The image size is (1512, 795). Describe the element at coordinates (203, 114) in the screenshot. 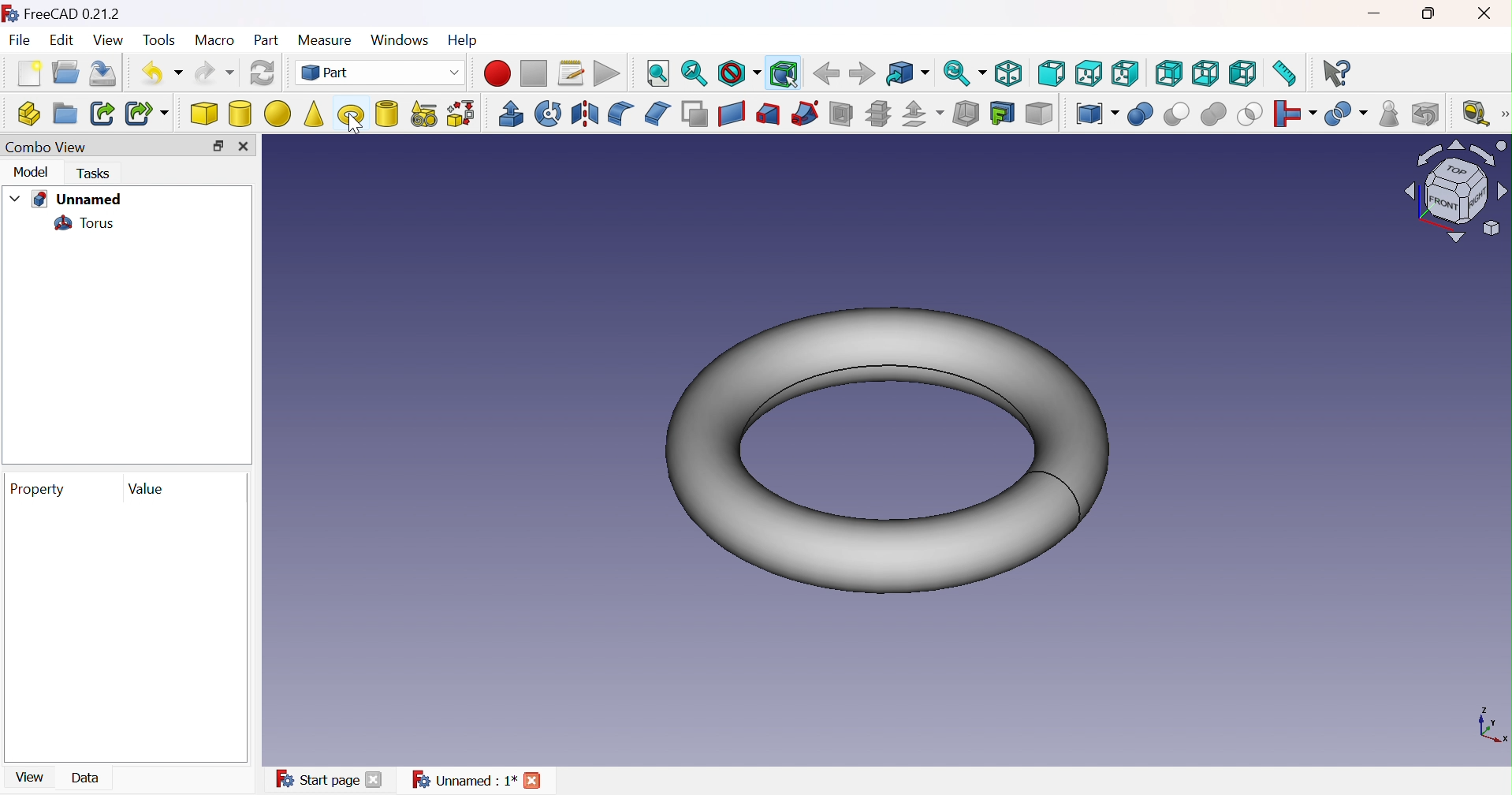

I see `Cube` at that location.